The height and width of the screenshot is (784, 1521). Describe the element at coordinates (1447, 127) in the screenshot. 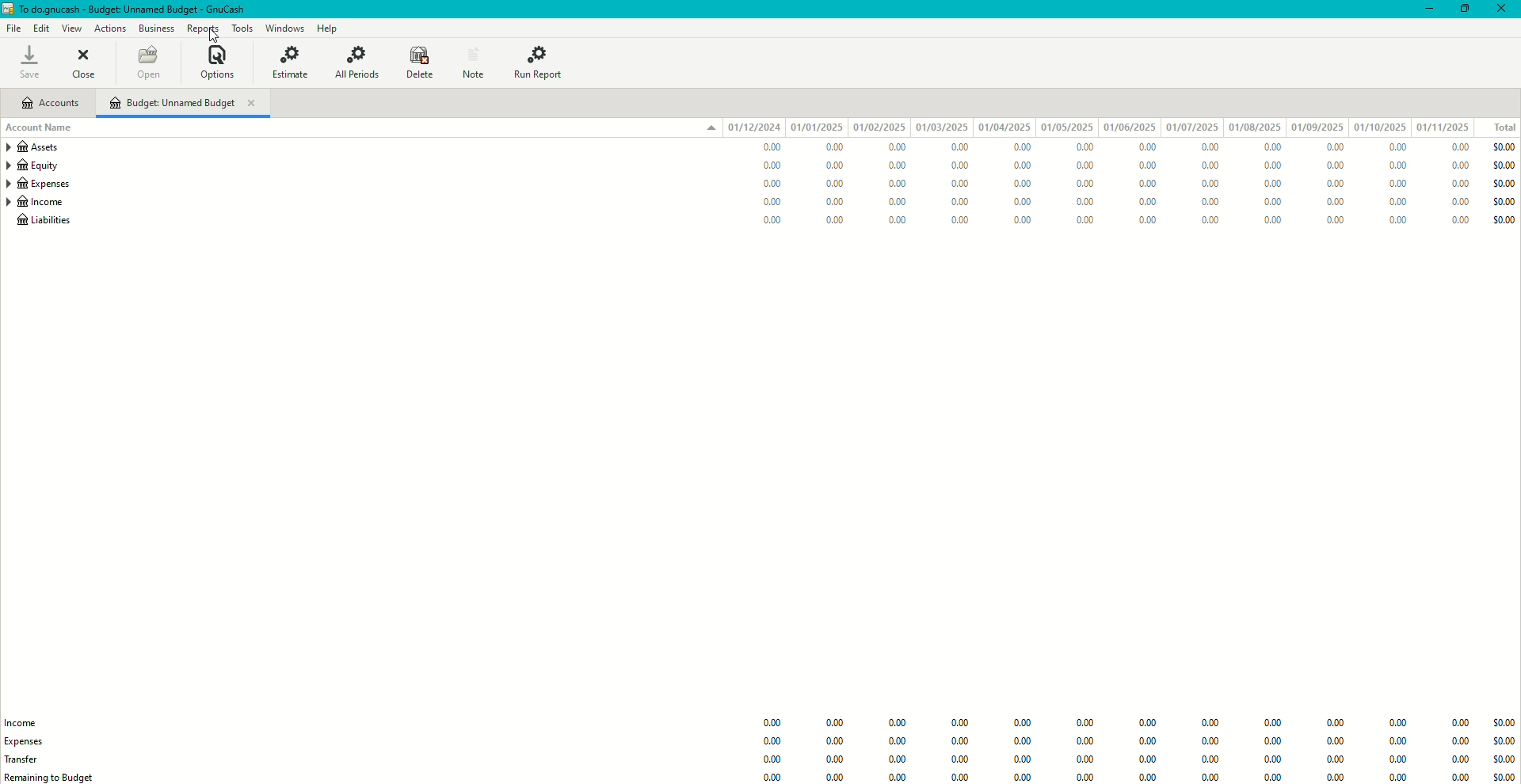

I see `01/11/2025` at that location.